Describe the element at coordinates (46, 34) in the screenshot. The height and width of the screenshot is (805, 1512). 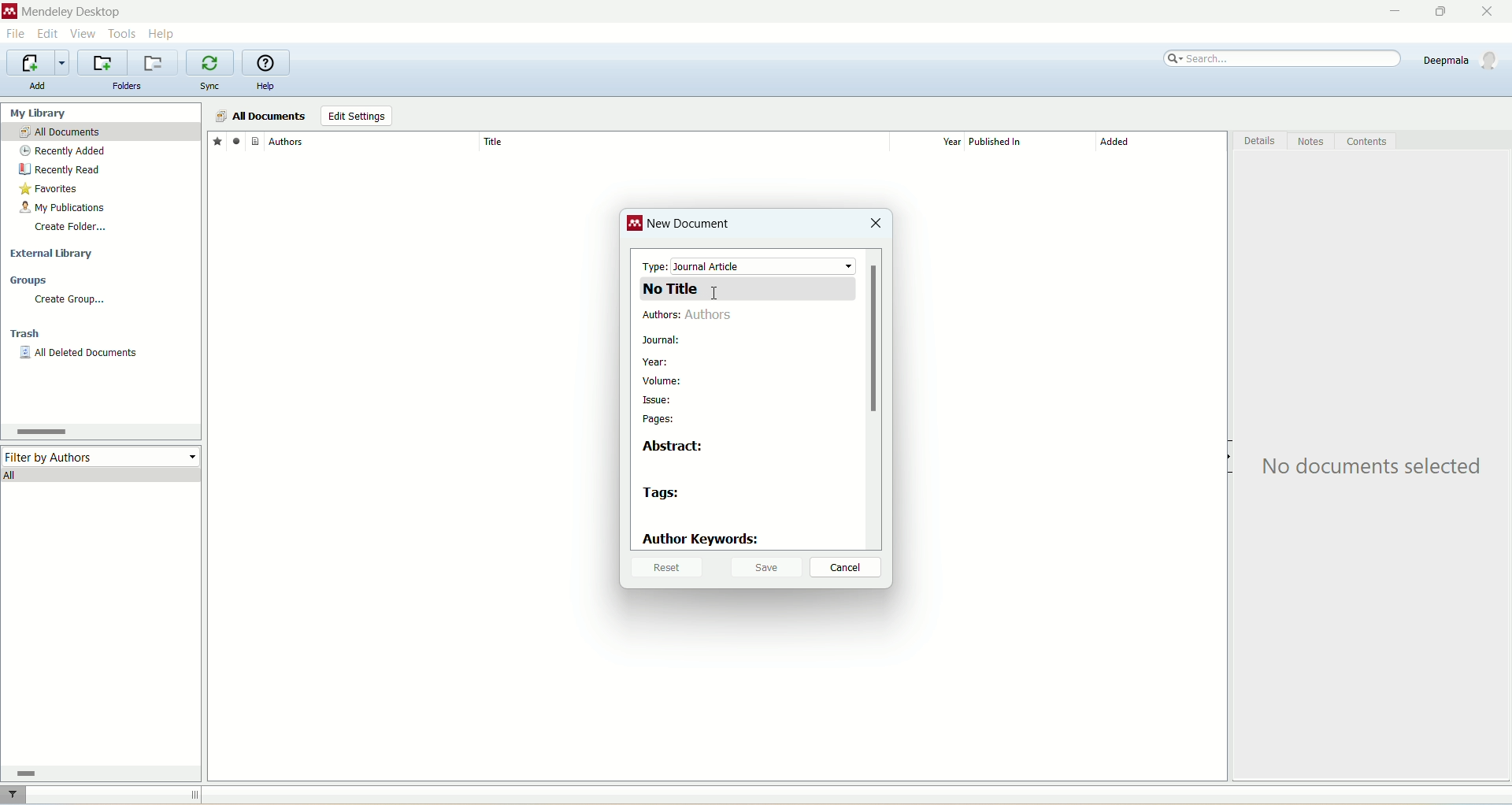
I see `edit` at that location.